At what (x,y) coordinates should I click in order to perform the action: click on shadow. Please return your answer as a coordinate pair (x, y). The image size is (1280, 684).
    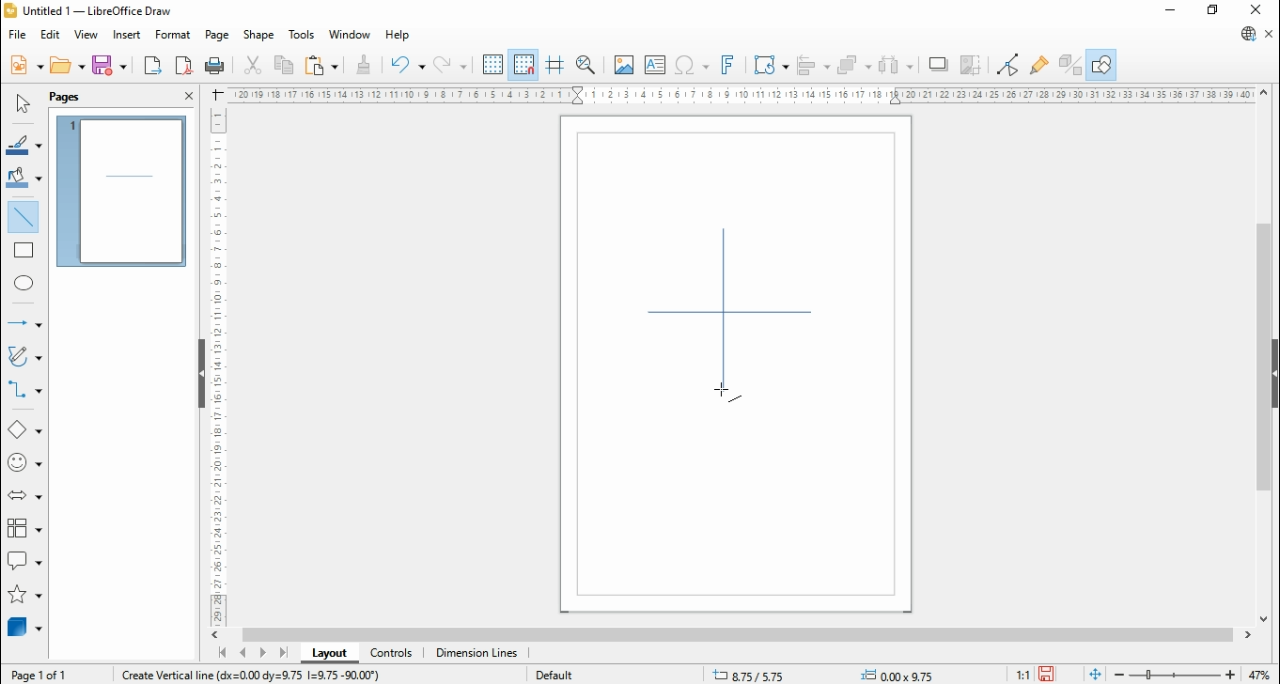
    Looking at the image, I should click on (940, 64).